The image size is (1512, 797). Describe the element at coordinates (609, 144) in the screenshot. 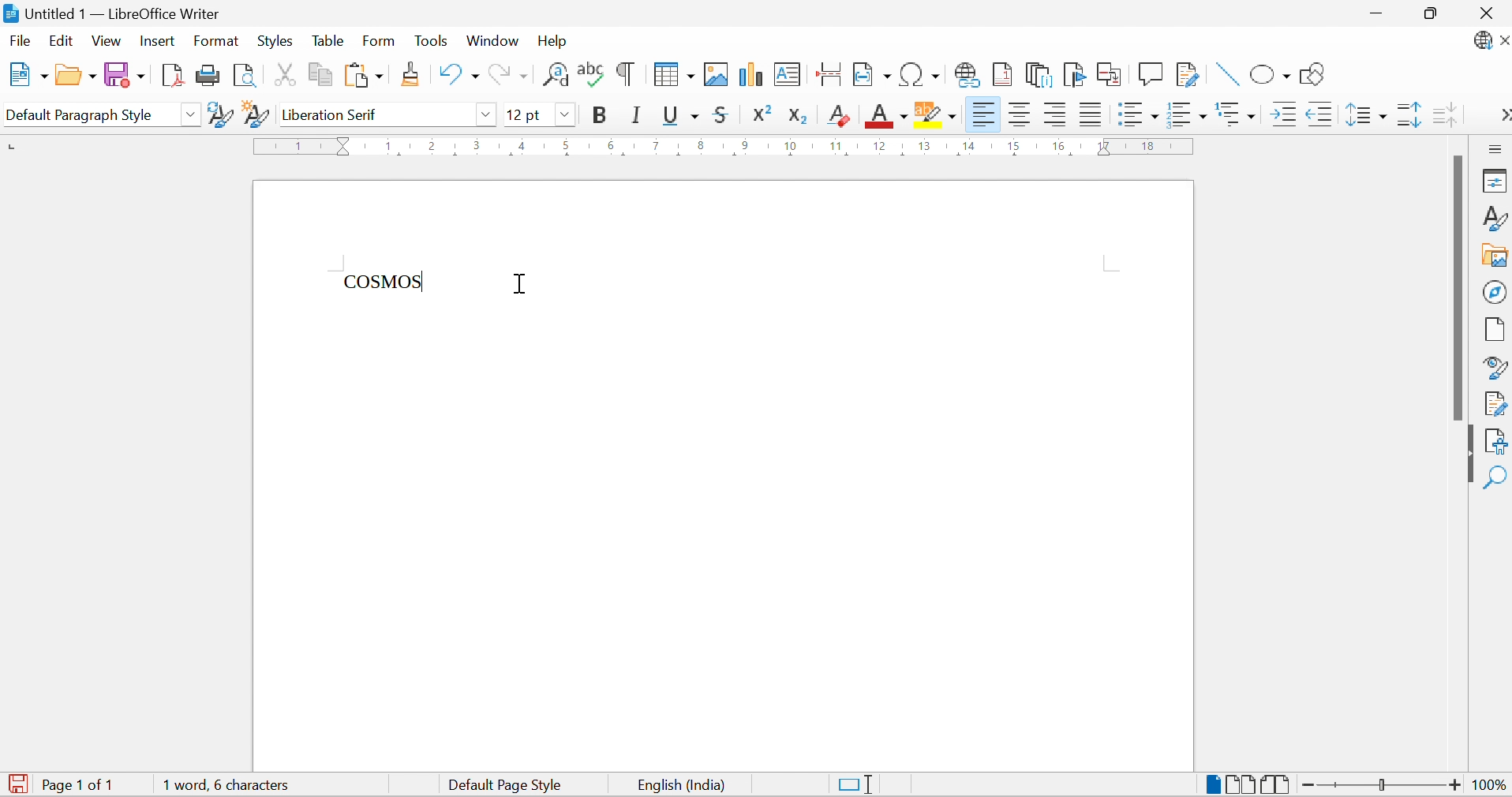

I see `6` at that location.